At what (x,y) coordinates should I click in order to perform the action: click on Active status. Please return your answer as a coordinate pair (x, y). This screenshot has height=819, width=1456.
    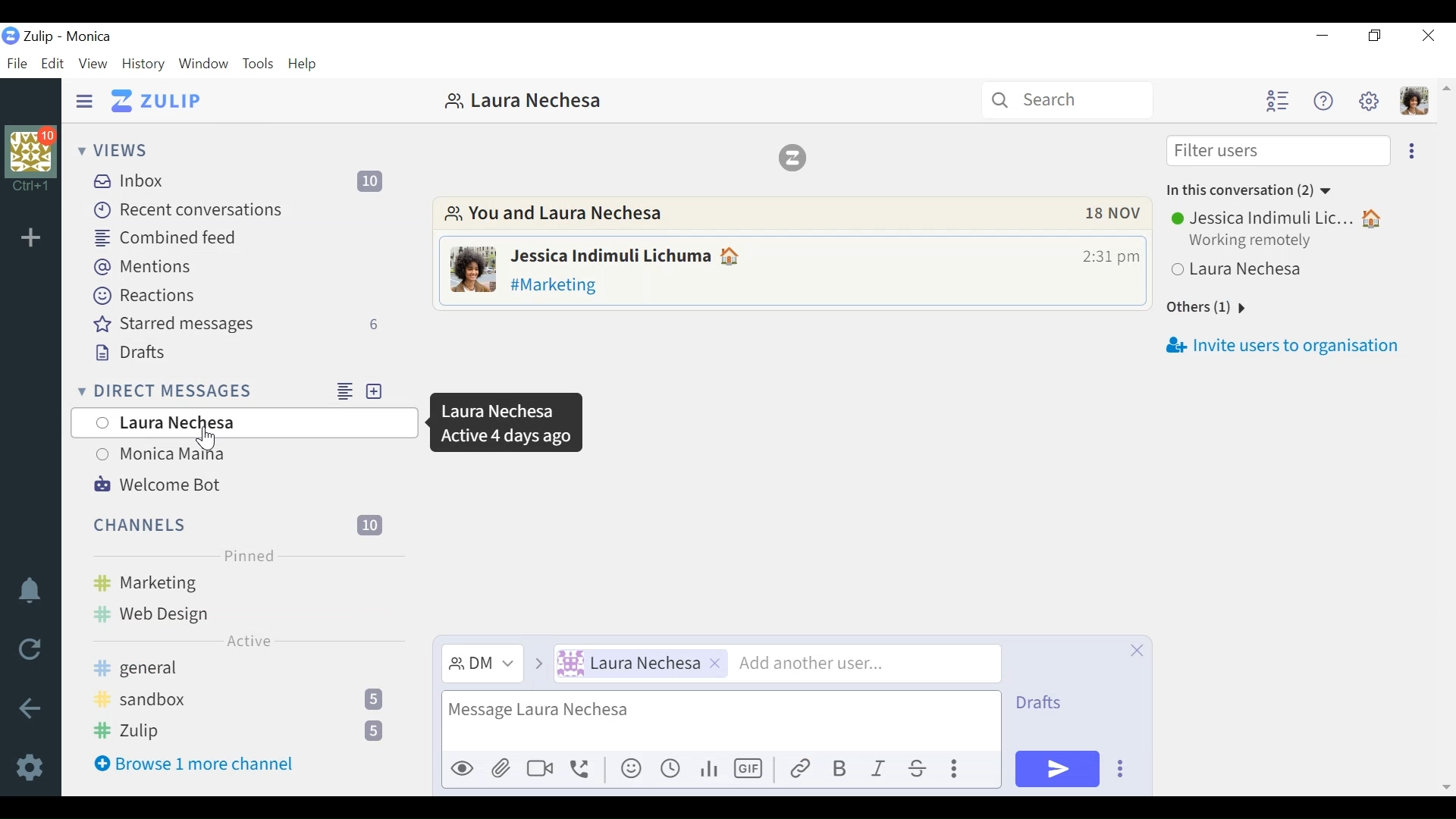
    Looking at the image, I should click on (504, 422).